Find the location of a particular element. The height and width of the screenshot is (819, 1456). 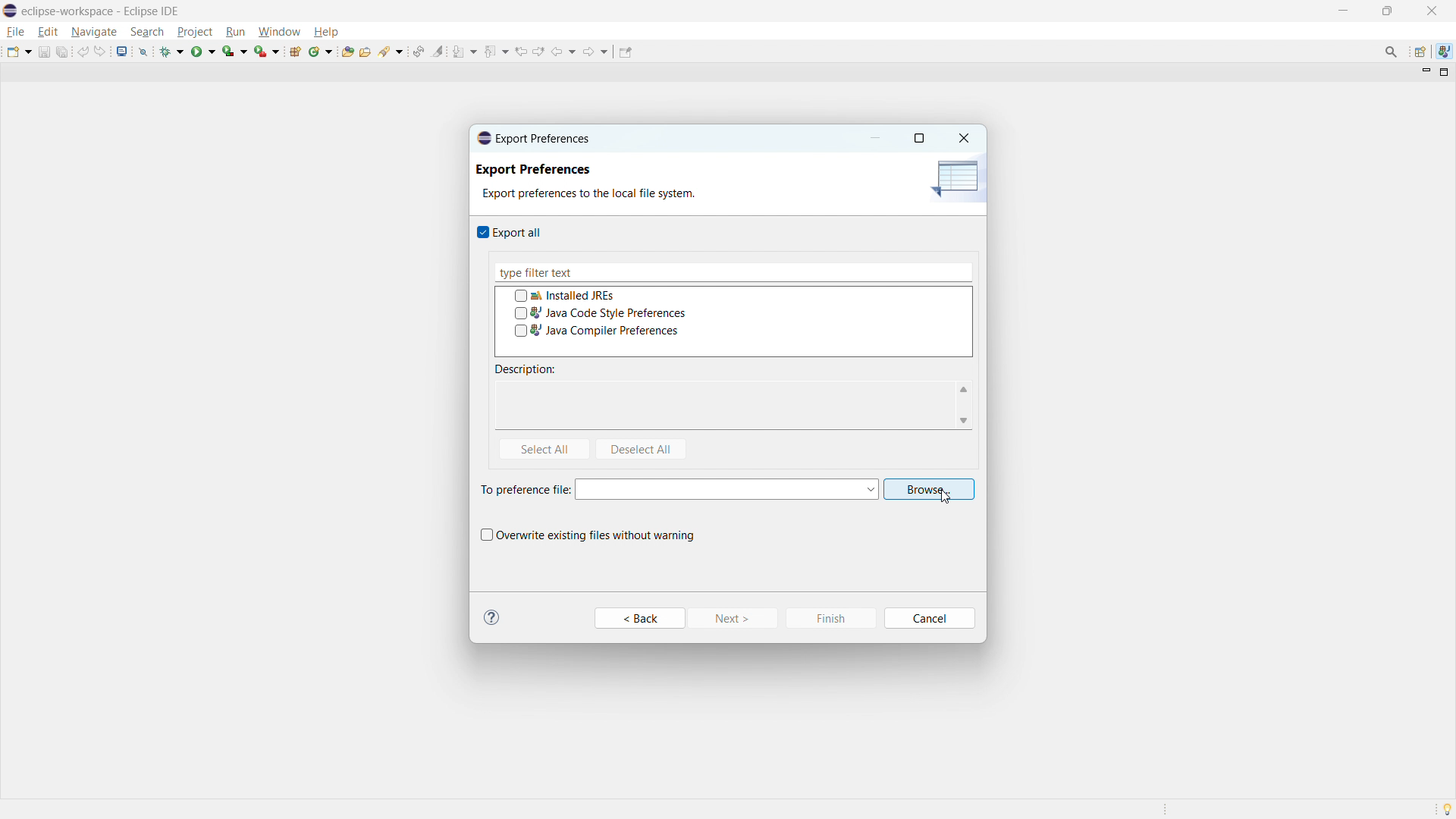

project is located at coordinates (194, 31).